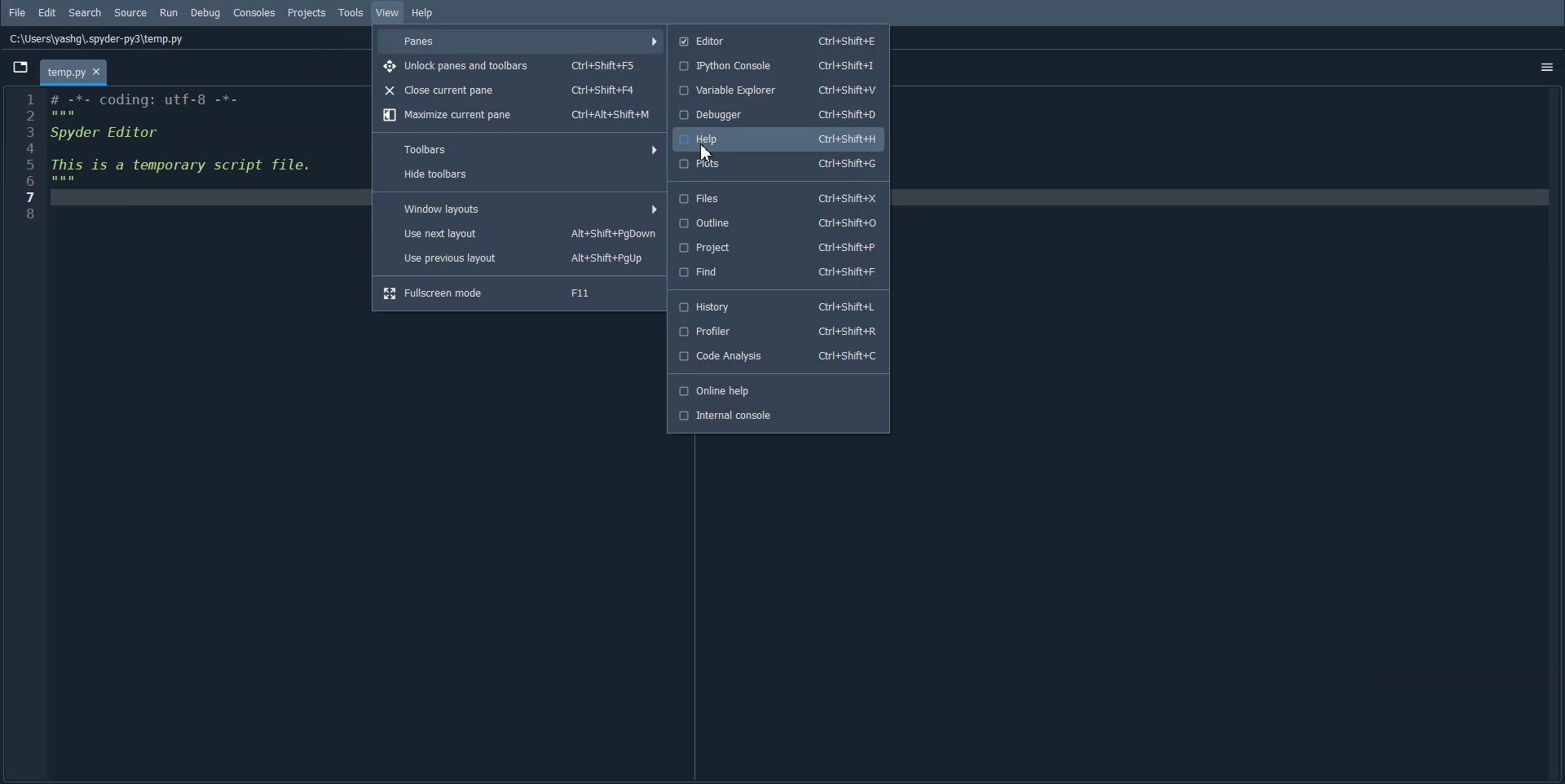 The image size is (1565, 784). I want to click on Hide toolbars, so click(521, 174).